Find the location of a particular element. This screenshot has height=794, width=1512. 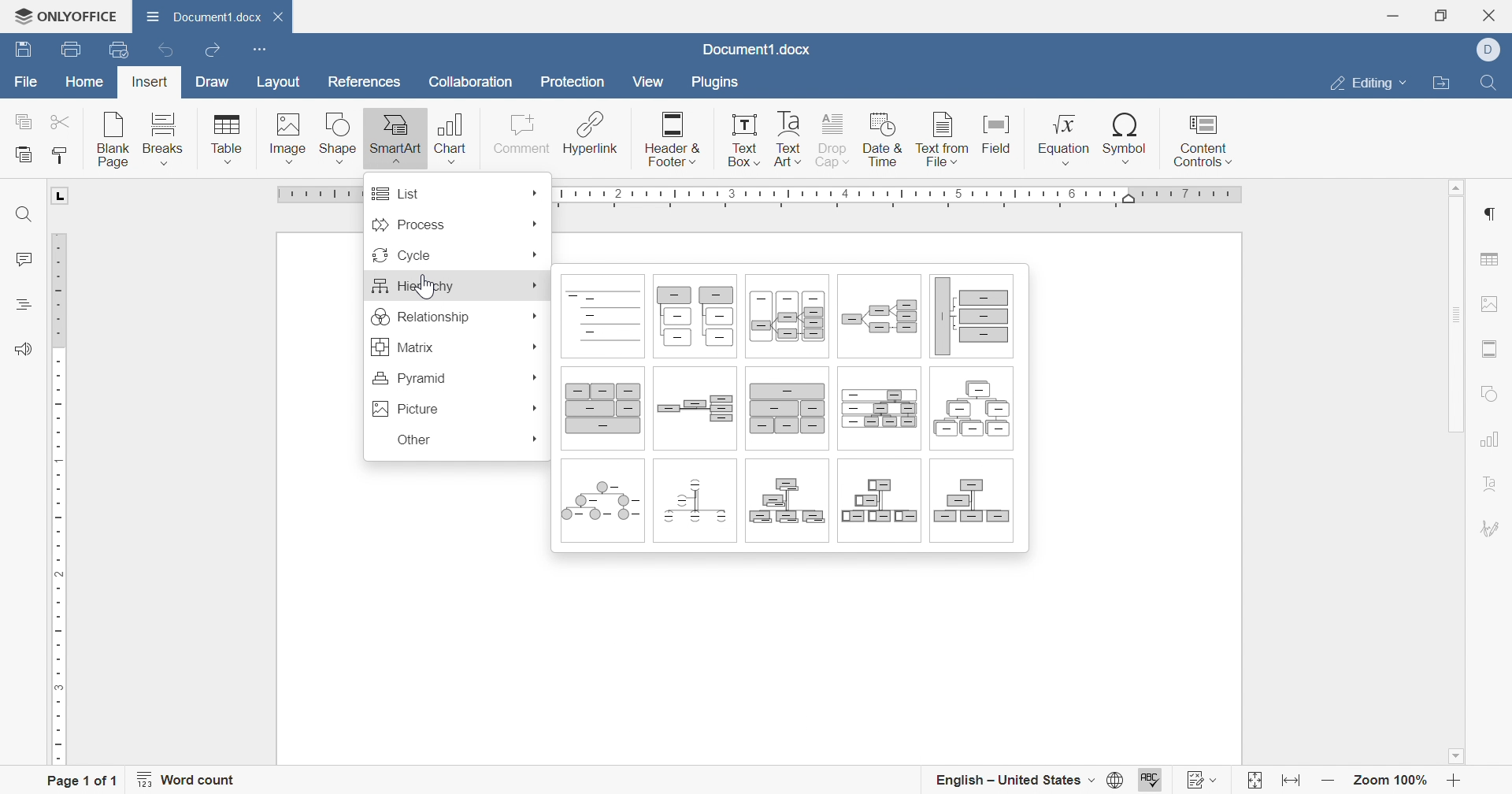

cursor is located at coordinates (428, 287).